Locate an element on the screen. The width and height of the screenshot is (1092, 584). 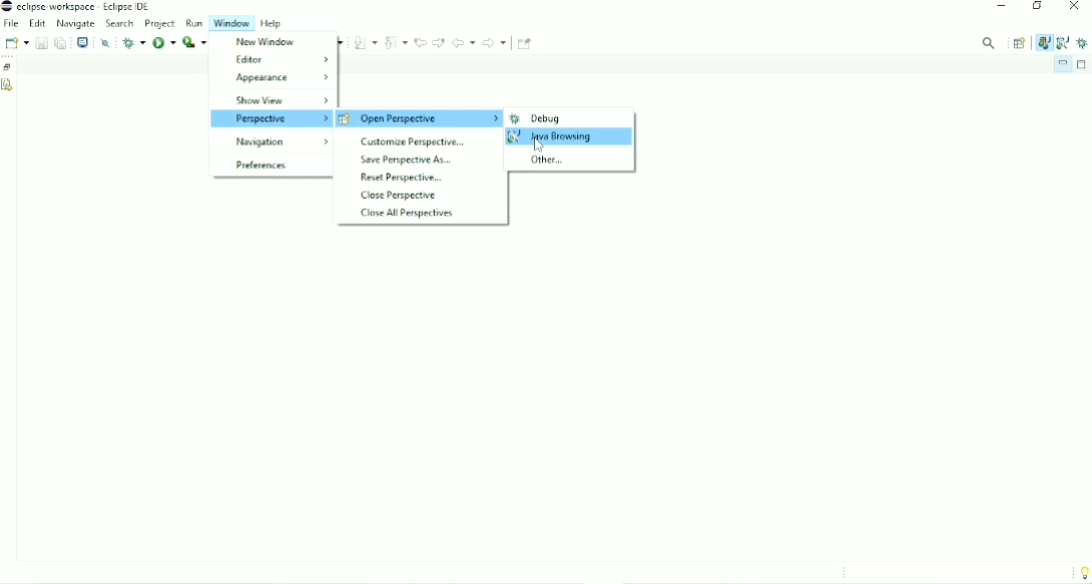
Window is located at coordinates (234, 23).